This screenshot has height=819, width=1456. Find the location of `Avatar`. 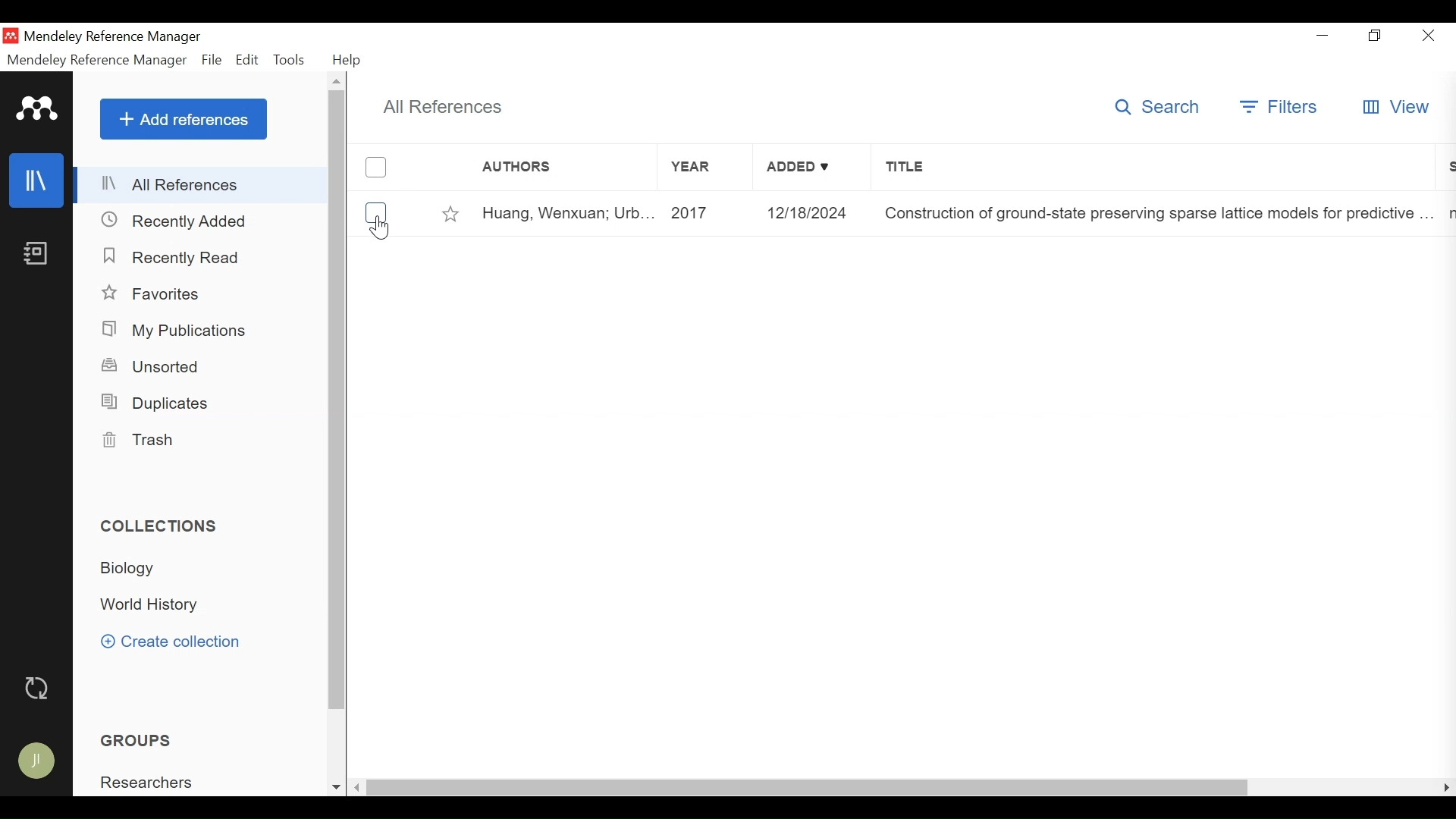

Avatar is located at coordinates (39, 760).